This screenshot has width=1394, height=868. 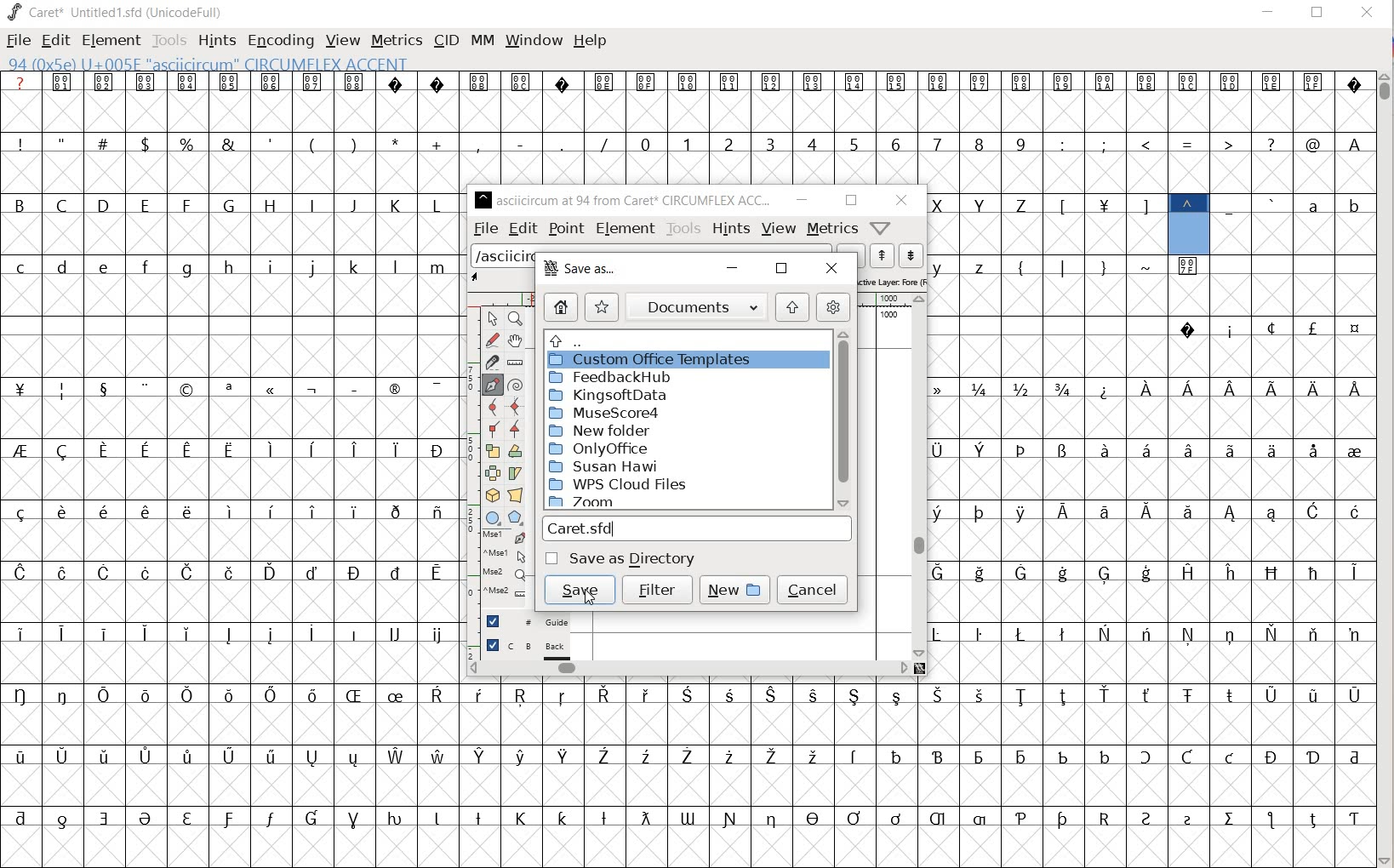 What do you see at coordinates (17, 42) in the screenshot?
I see `FILE` at bounding box center [17, 42].